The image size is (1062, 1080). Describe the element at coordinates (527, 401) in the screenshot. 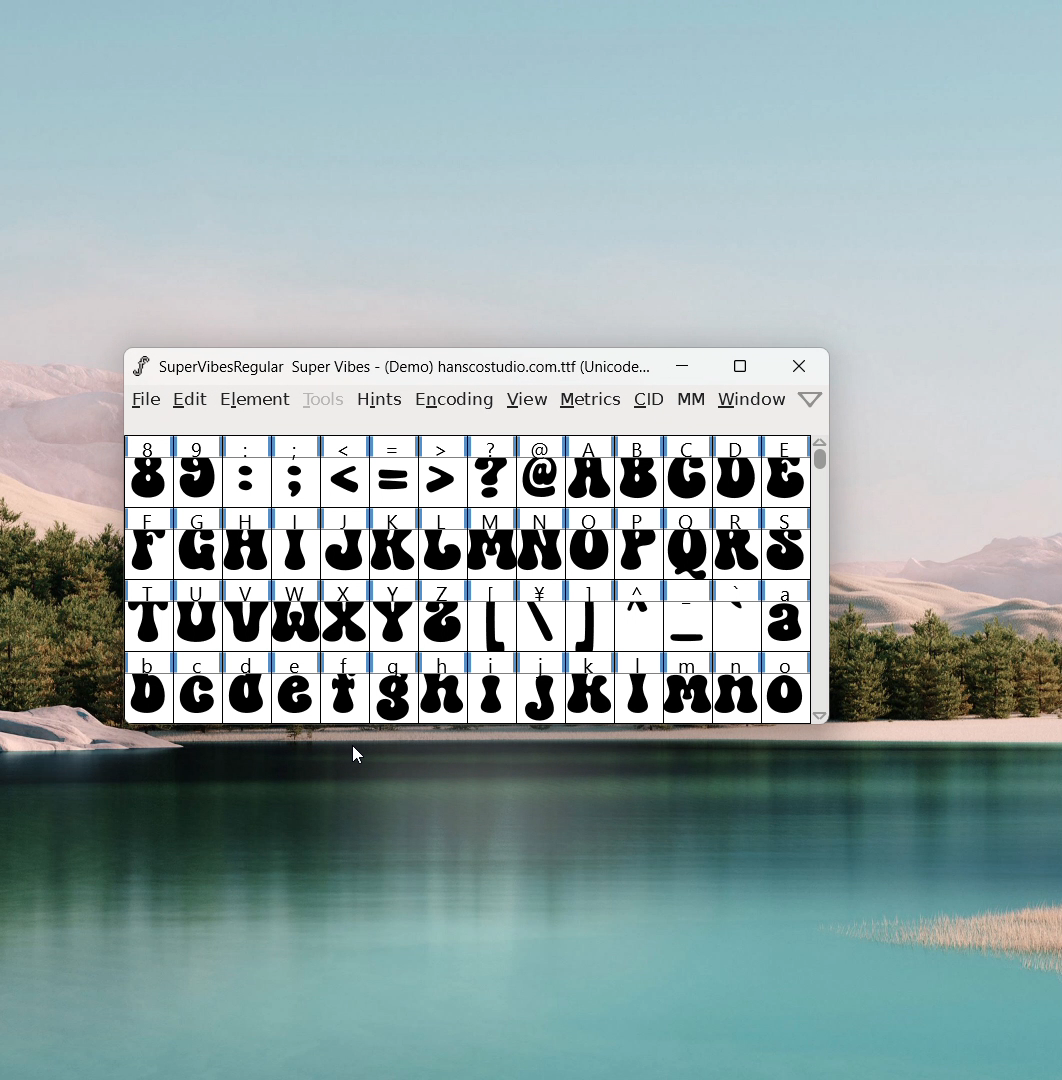

I see `view` at that location.